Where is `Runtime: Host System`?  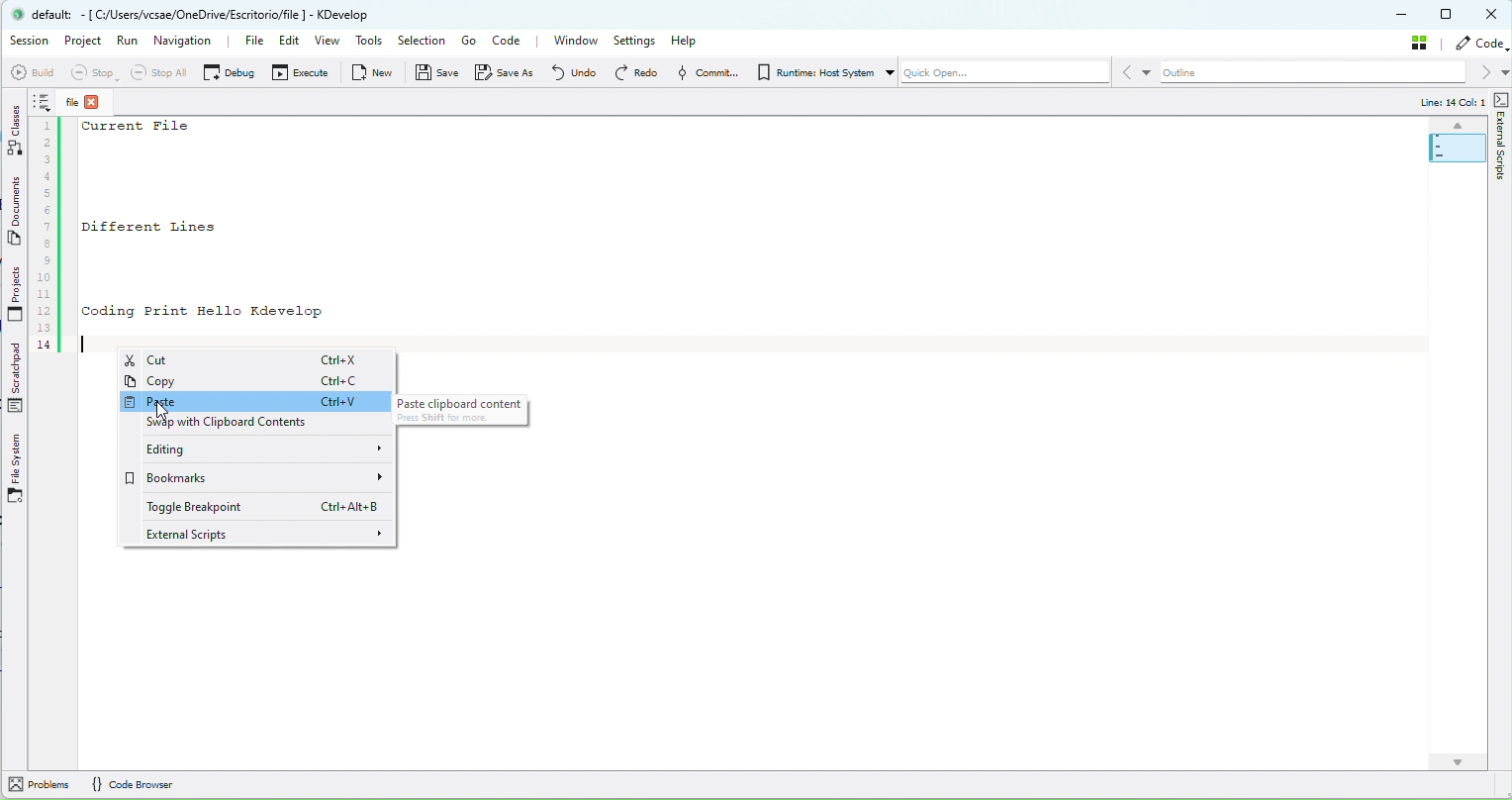
Runtime: Host System is located at coordinates (813, 72).